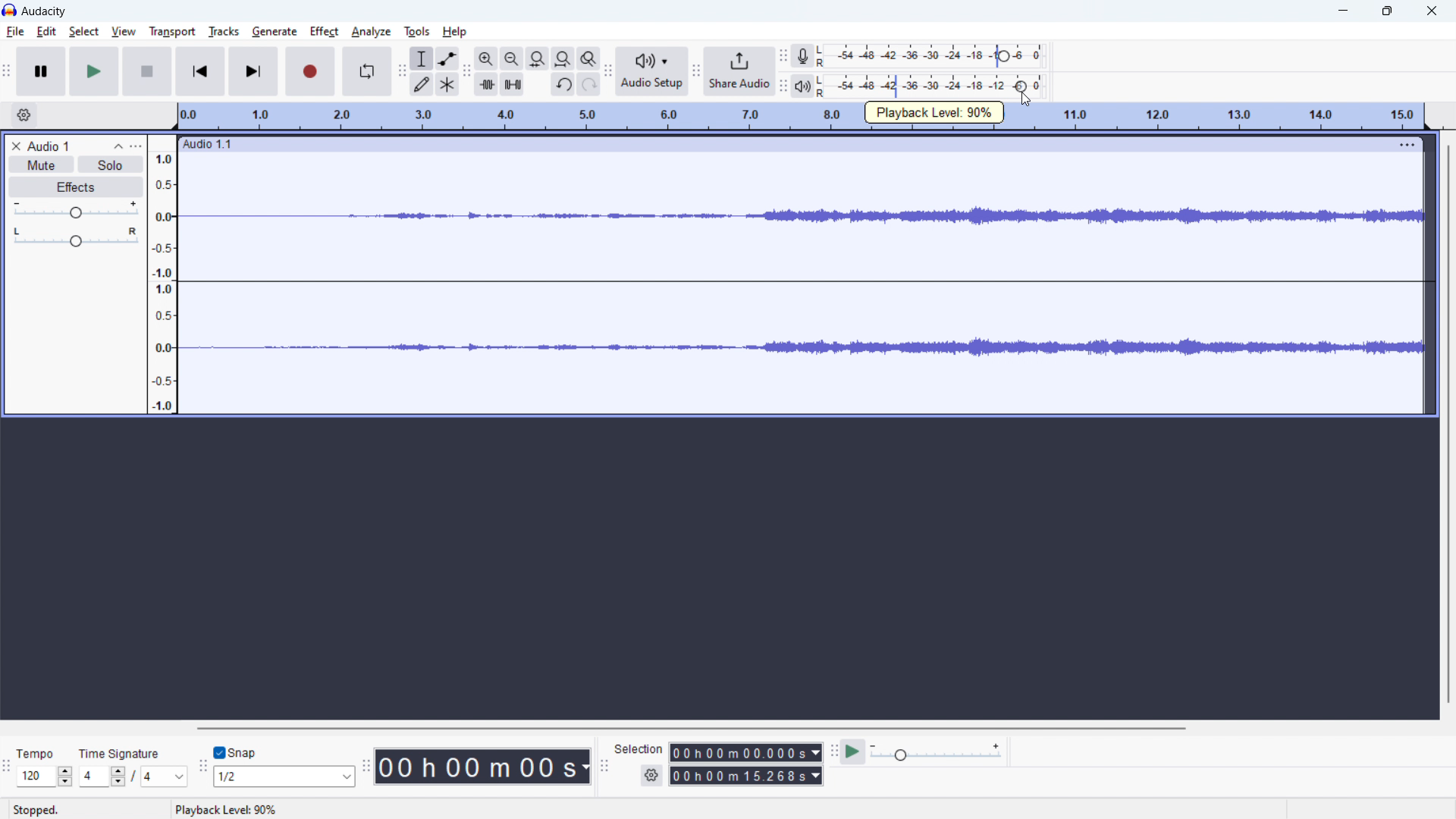  What do you see at coordinates (75, 209) in the screenshot?
I see `volume` at bounding box center [75, 209].